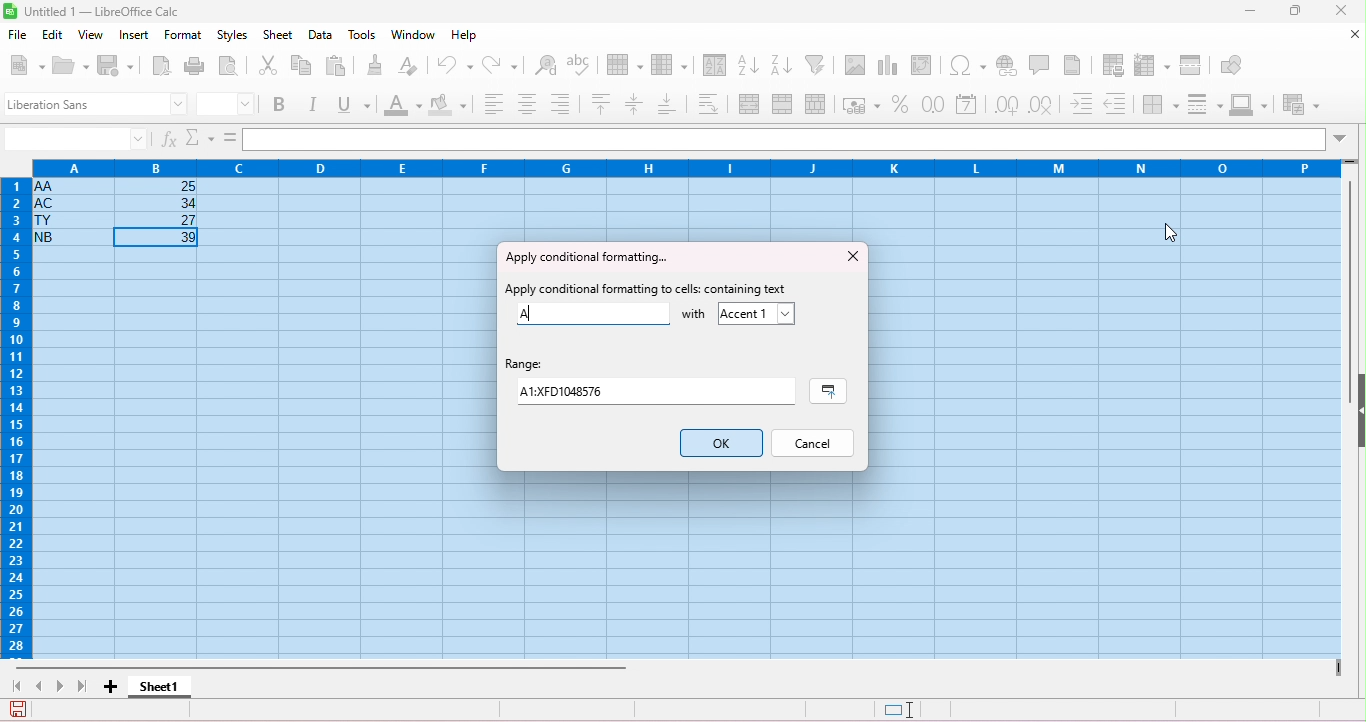 This screenshot has width=1366, height=722. What do you see at coordinates (230, 66) in the screenshot?
I see `print preview` at bounding box center [230, 66].